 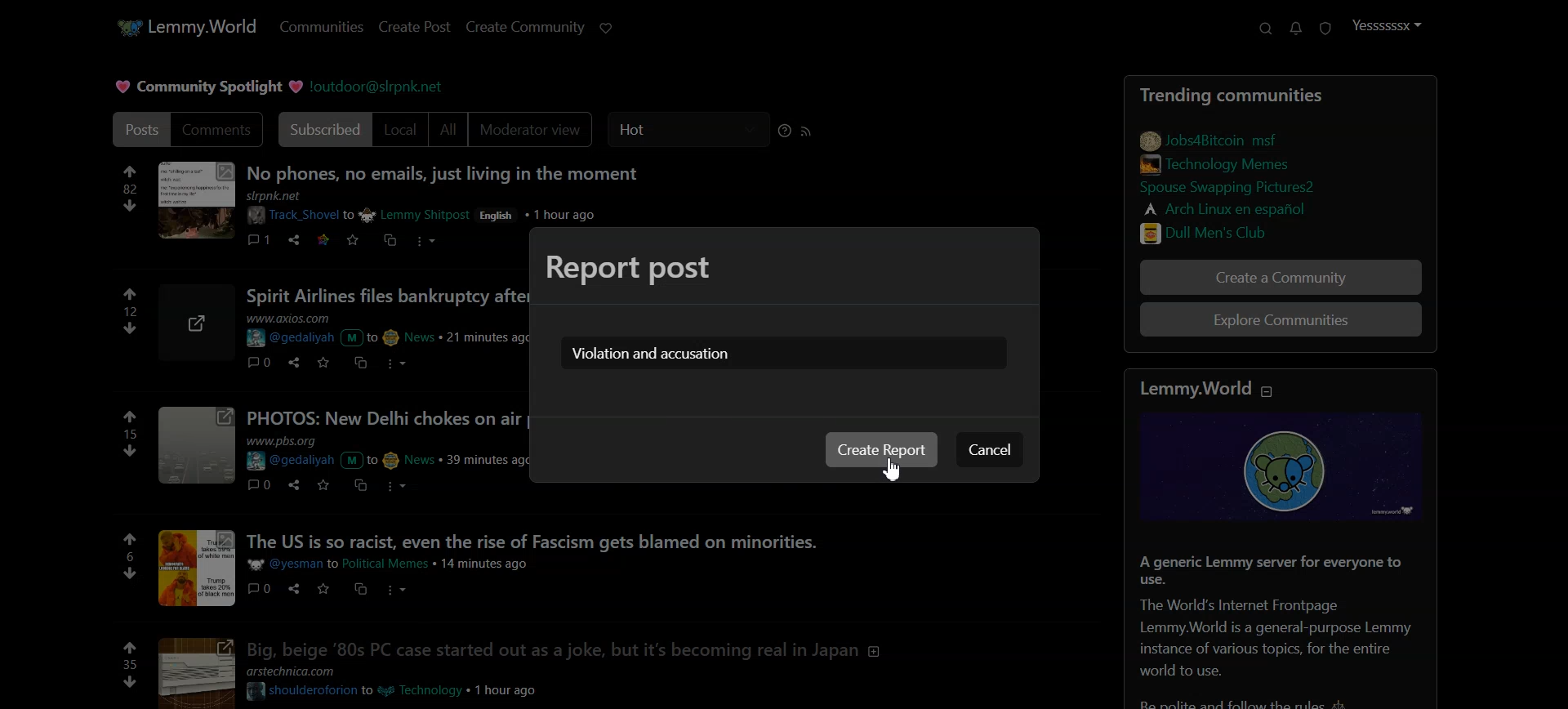 What do you see at coordinates (131, 205) in the screenshot?
I see `downvote` at bounding box center [131, 205].